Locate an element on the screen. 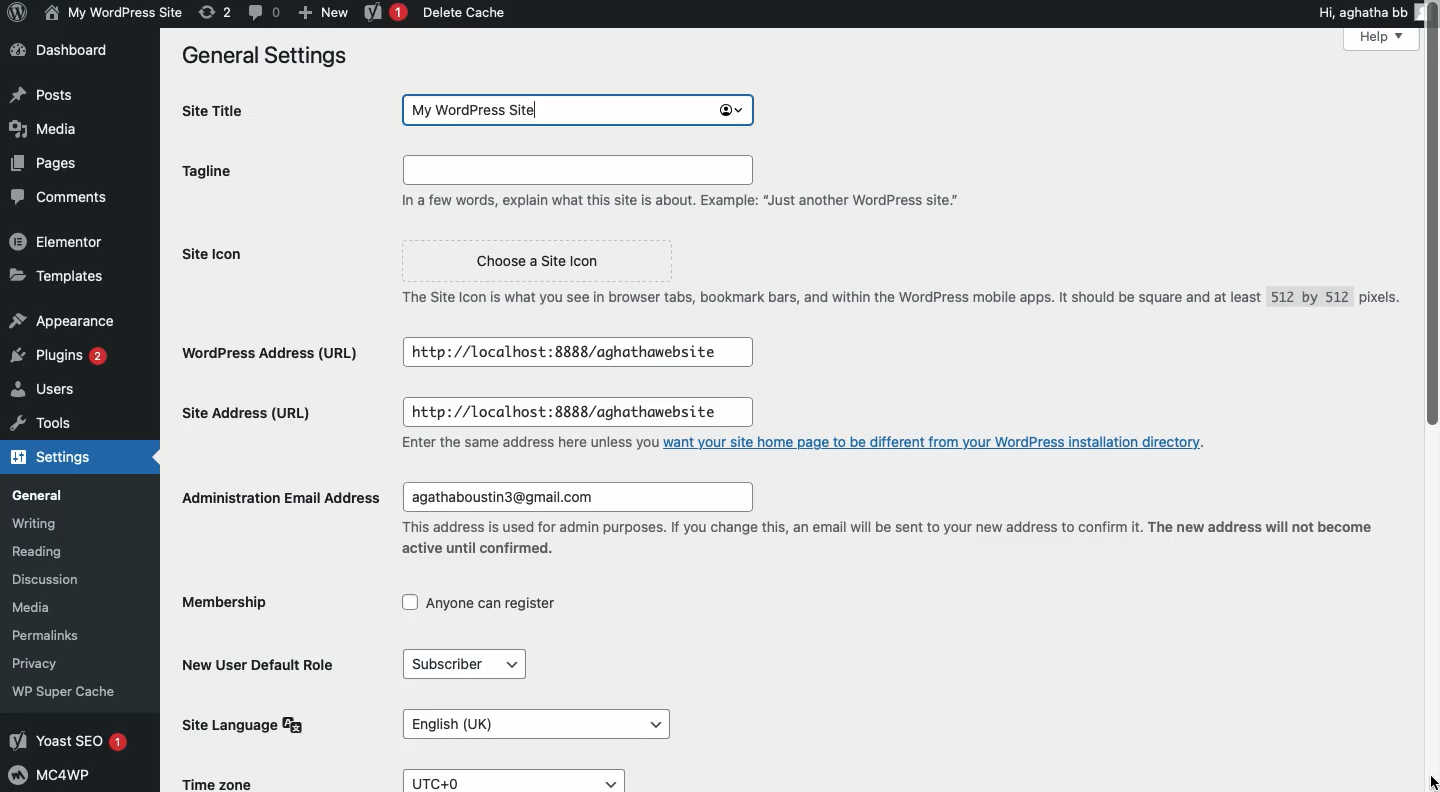  Input field is located at coordinates (581, 169).